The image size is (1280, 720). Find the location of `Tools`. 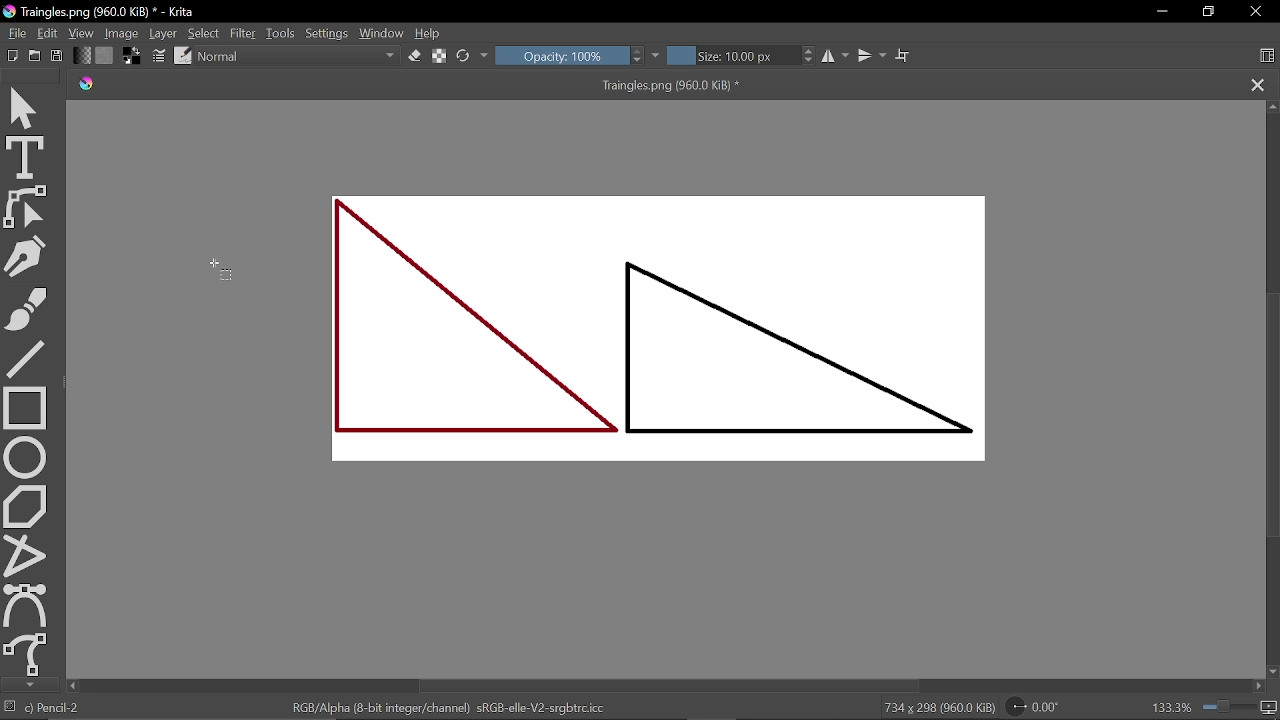

Tools is located at coordinates (281, 34).